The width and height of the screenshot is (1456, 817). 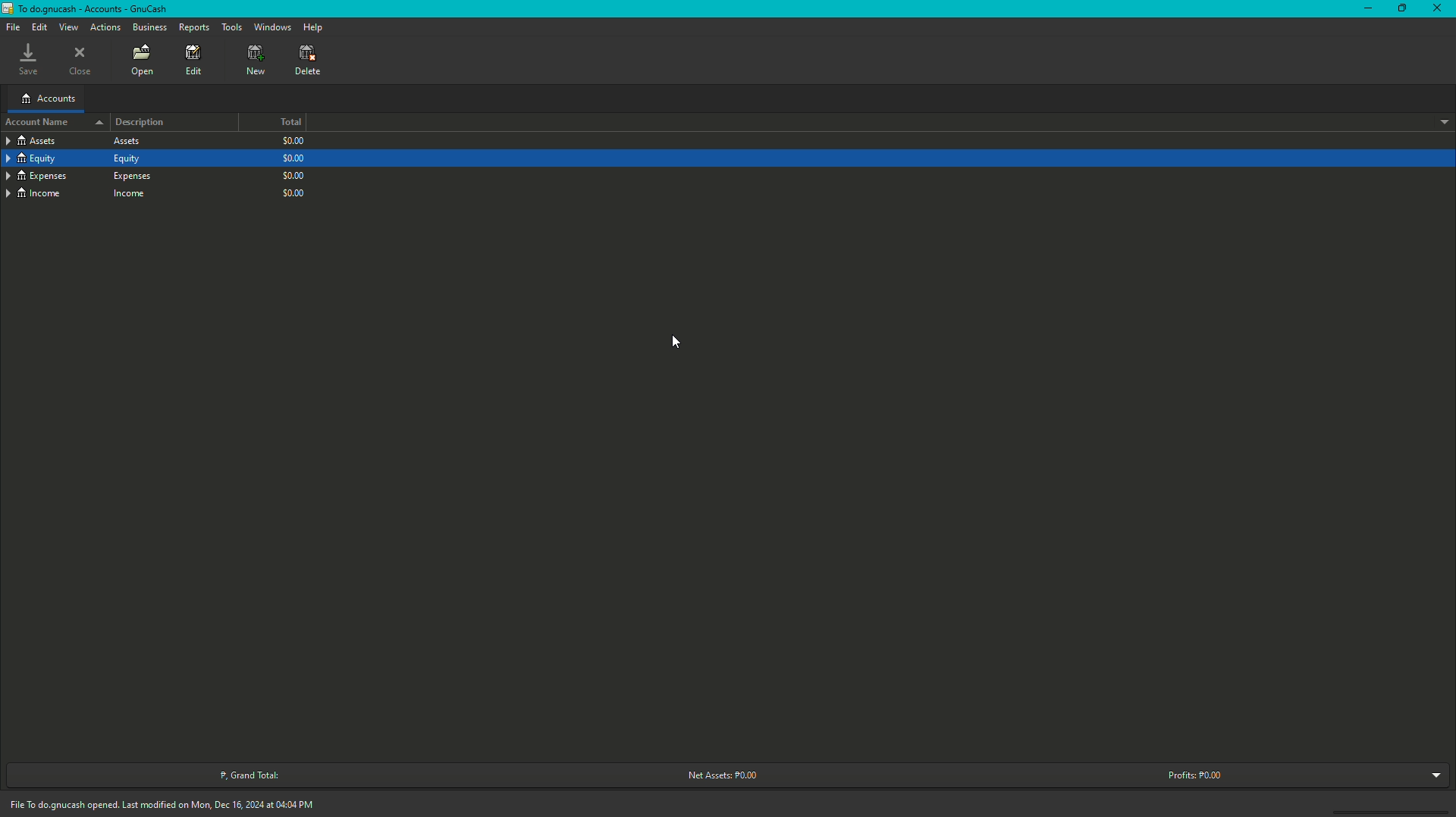 I want to click on Close, so click(x=83, y=60).